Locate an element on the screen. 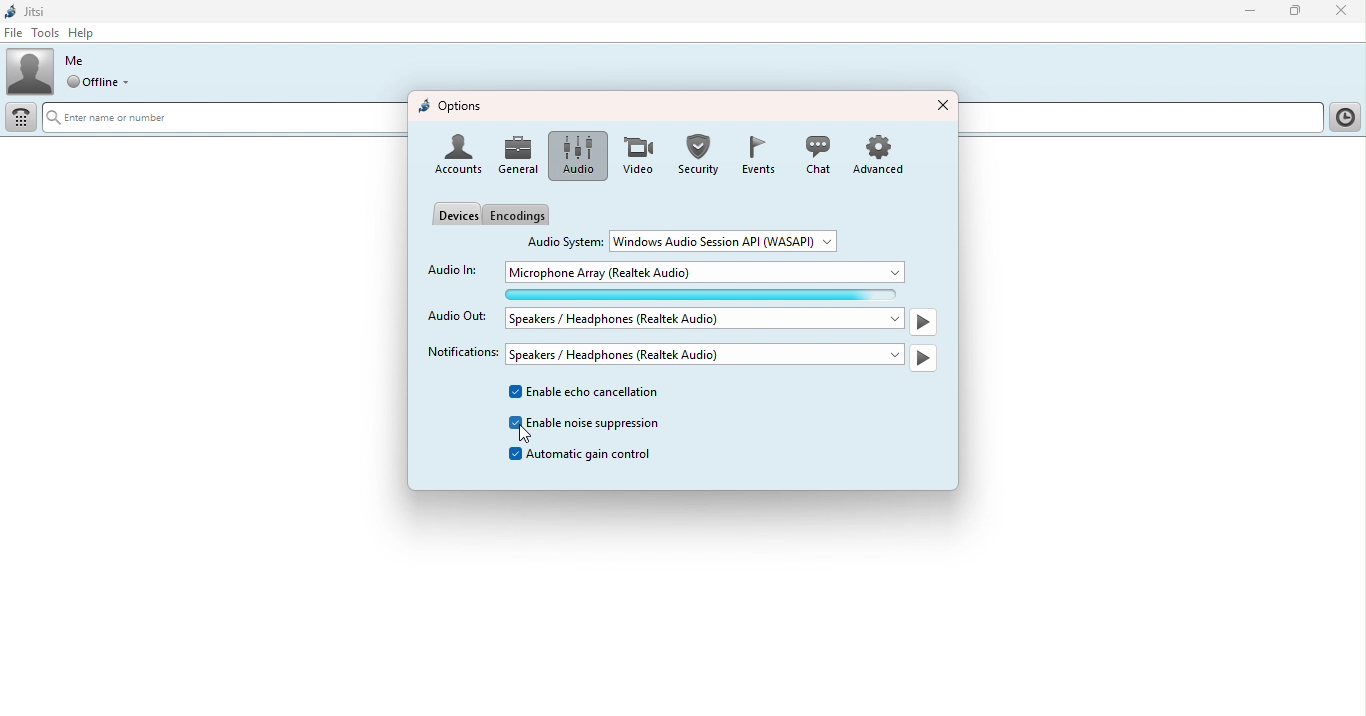 The width and height of the screenshot is (1366, 716). Devices is located at coordinates (455, 213).